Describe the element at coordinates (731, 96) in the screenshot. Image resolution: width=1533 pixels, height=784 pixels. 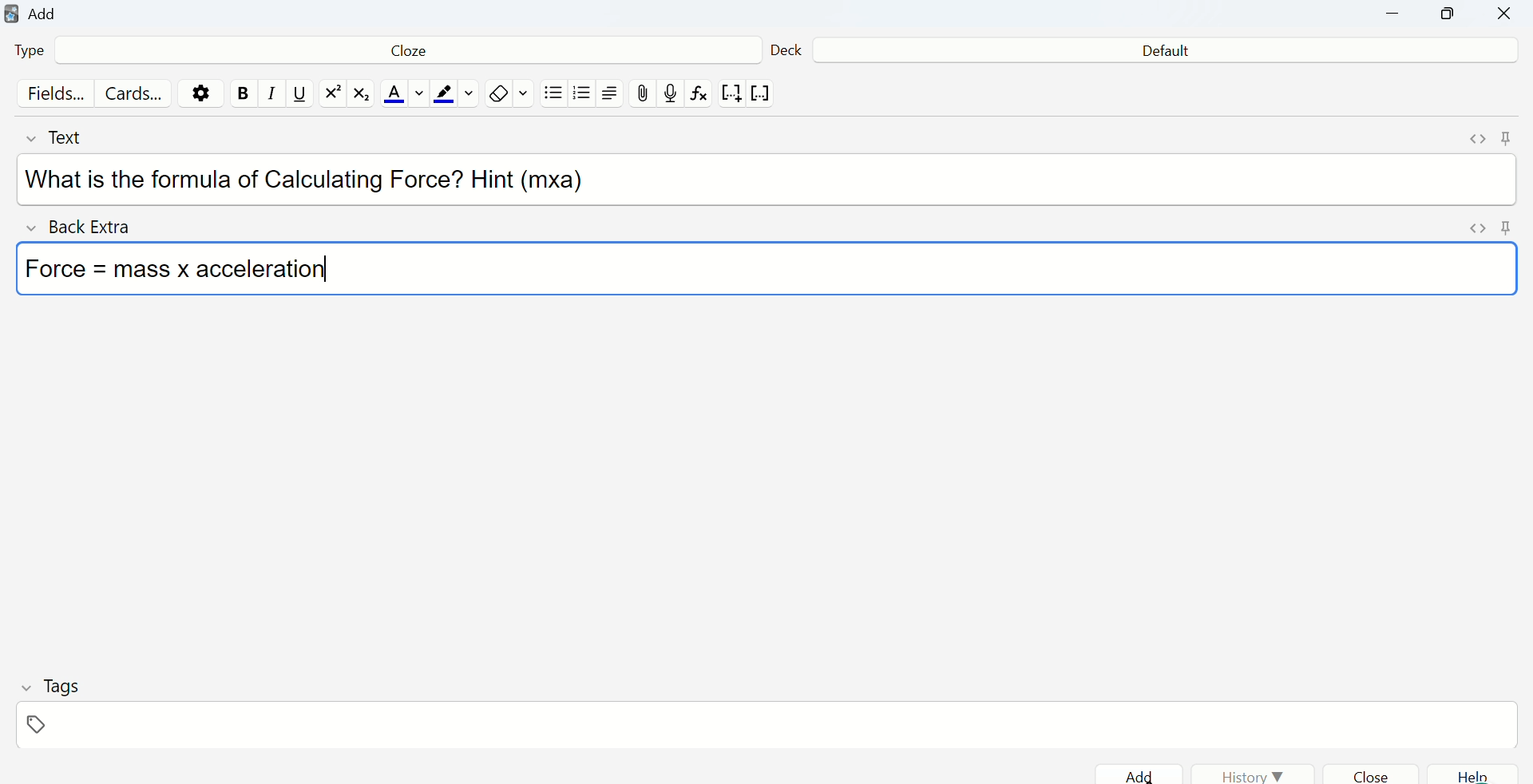
I see `notation` at that location.